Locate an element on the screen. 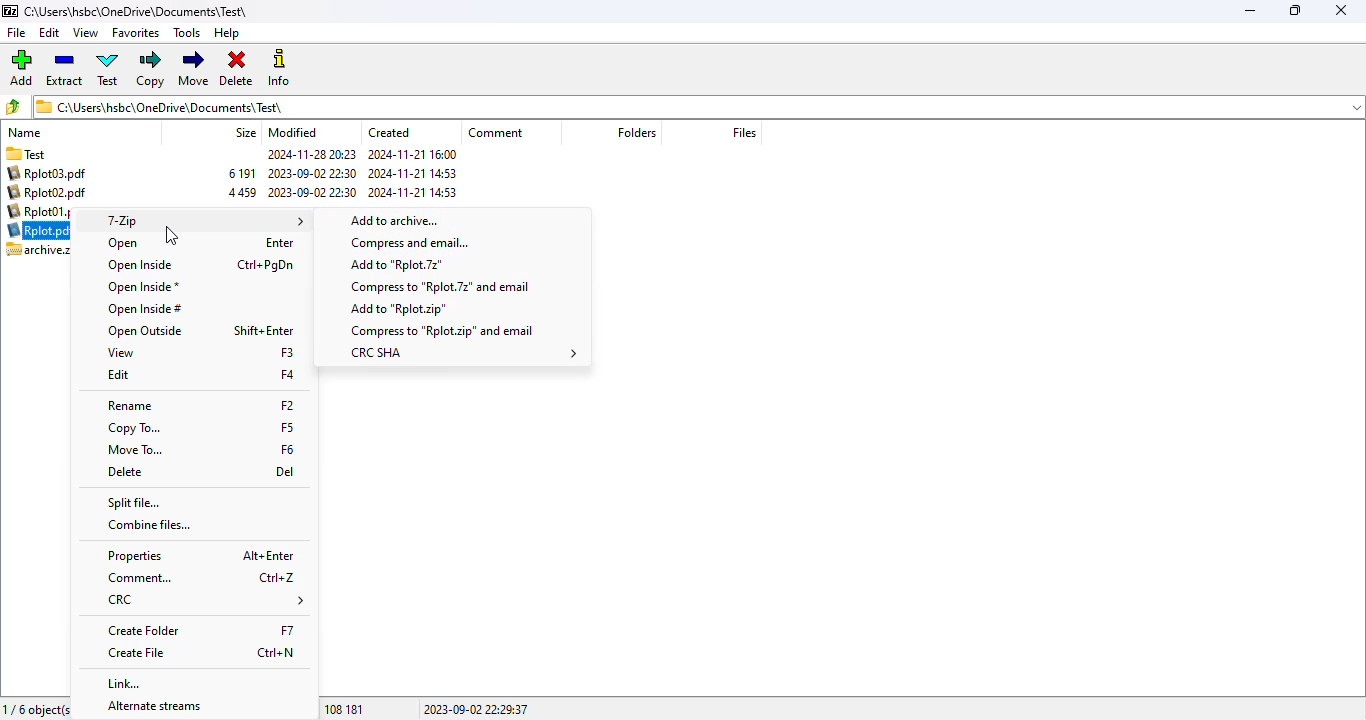 The height and width of the screenshot is (720, 1366). files is located at coordinates (744, 132).